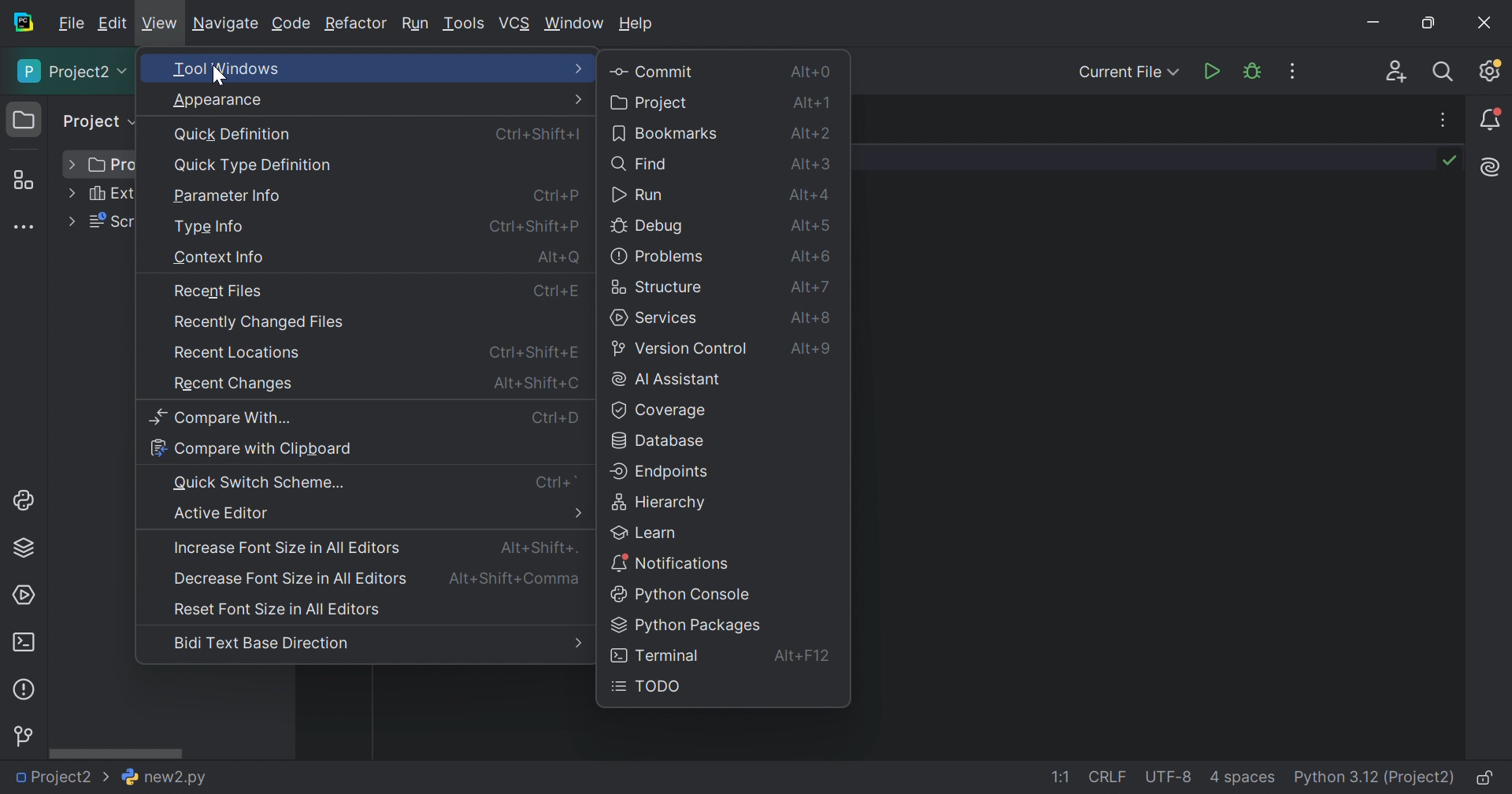  Describe the element at coordinates (1492, 119) in the screenshot. I see `Notifications` at that location.